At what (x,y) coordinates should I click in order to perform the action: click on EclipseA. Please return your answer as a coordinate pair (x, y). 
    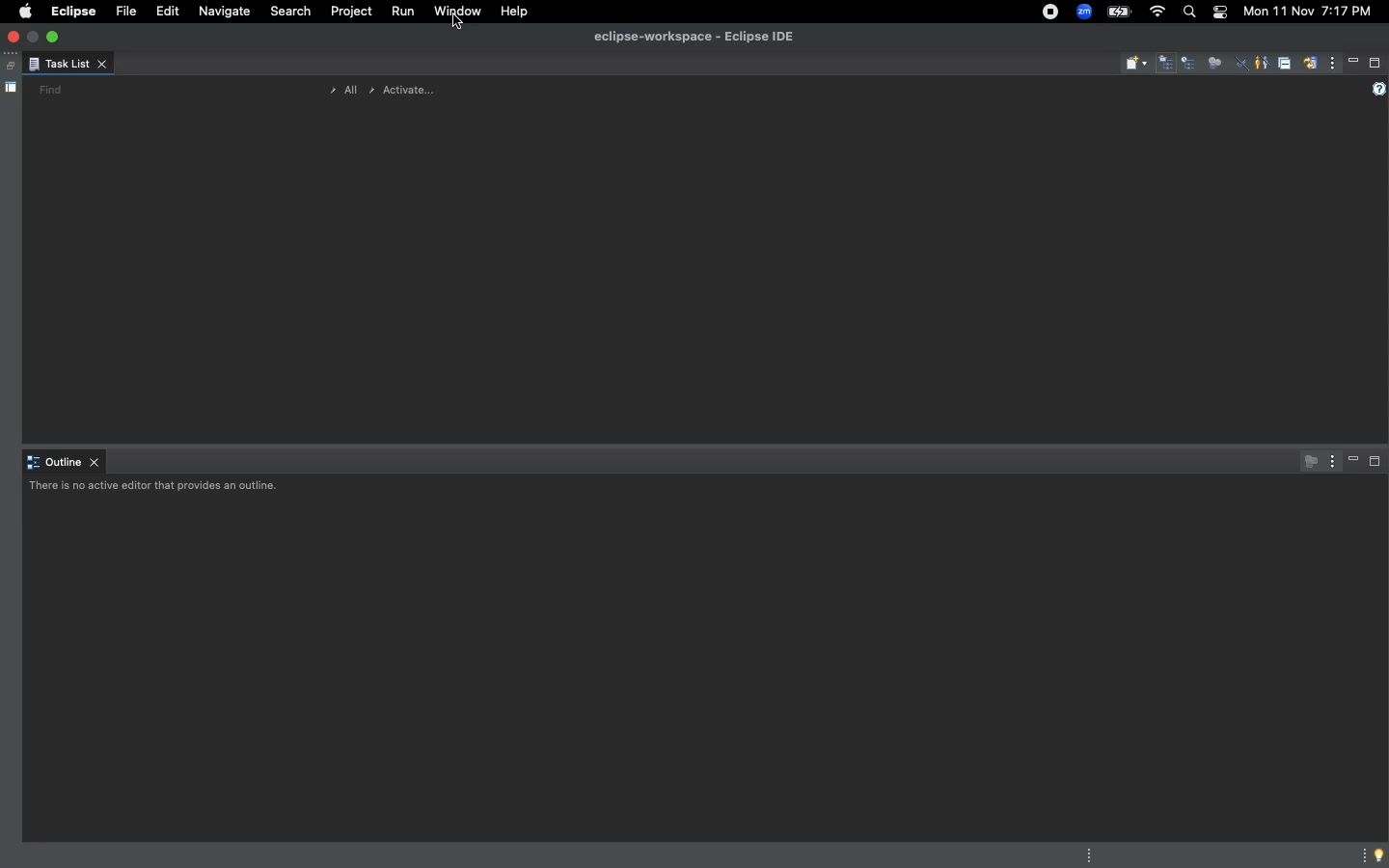
    Looking at the image, I should click on (71, 12).